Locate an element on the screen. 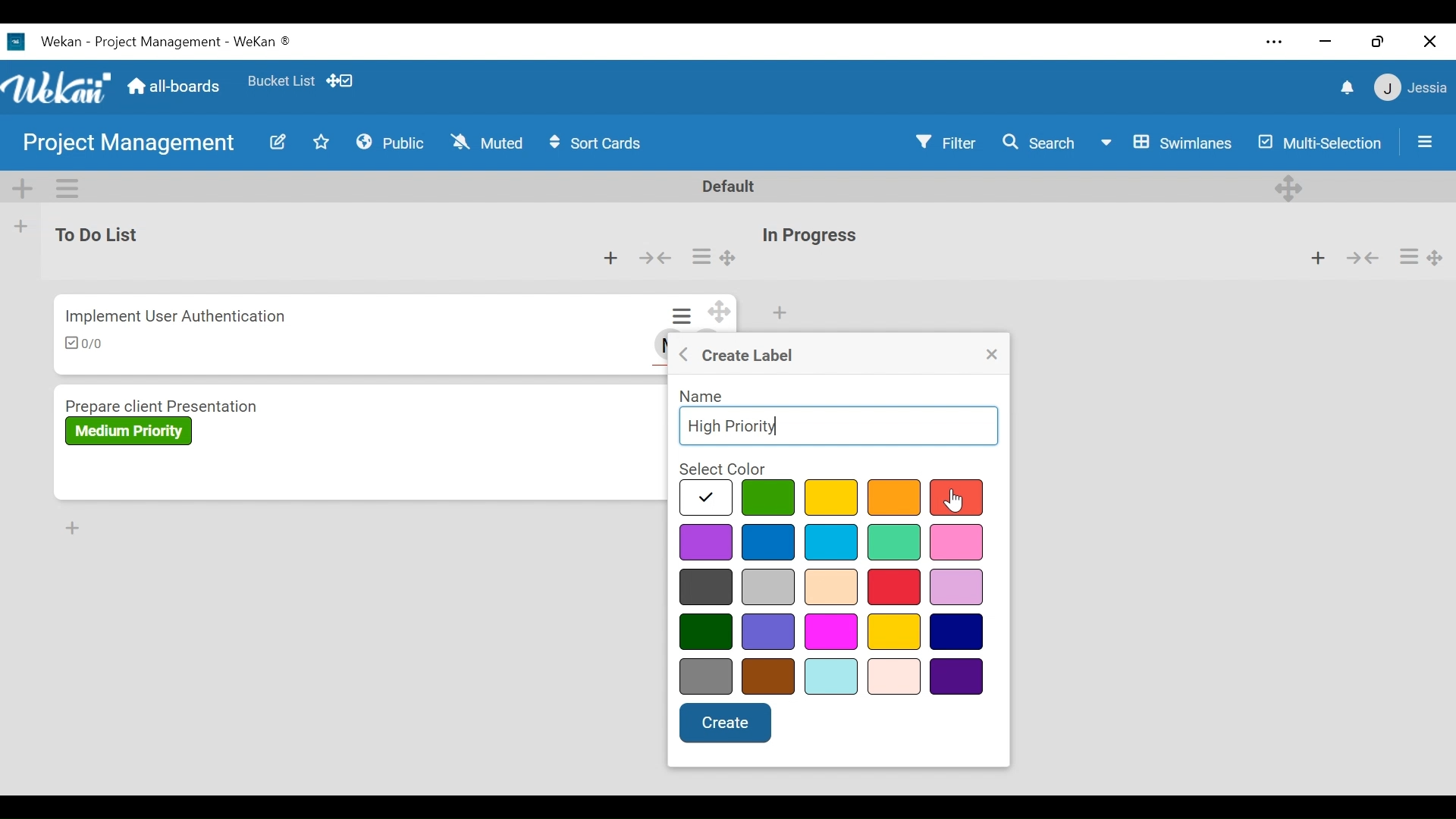 This screenshot has height=819, width=1456. Multi-Selection is located at coordinates (1321, 143).